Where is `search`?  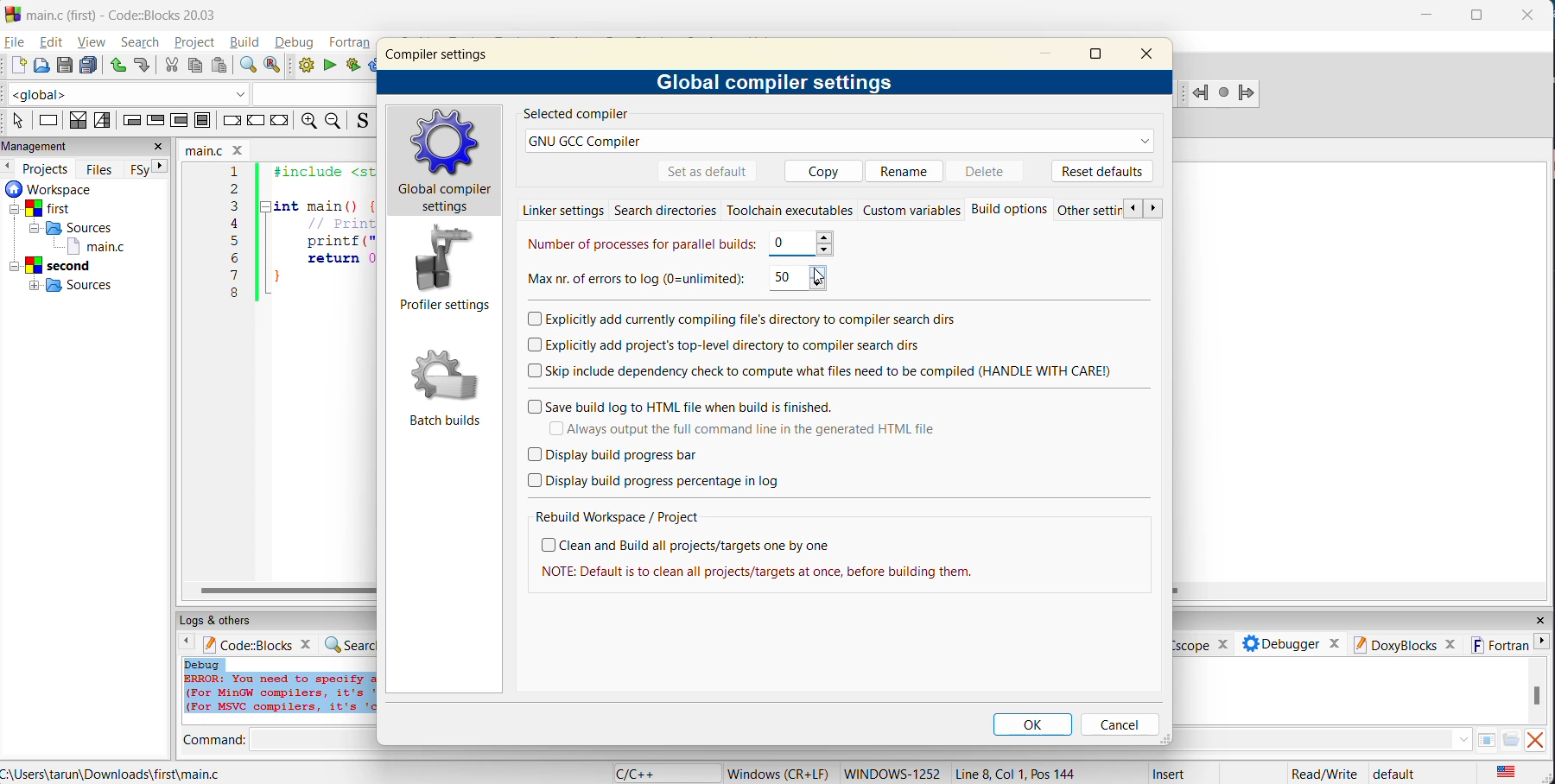
search is located at coordinates (143, 42).